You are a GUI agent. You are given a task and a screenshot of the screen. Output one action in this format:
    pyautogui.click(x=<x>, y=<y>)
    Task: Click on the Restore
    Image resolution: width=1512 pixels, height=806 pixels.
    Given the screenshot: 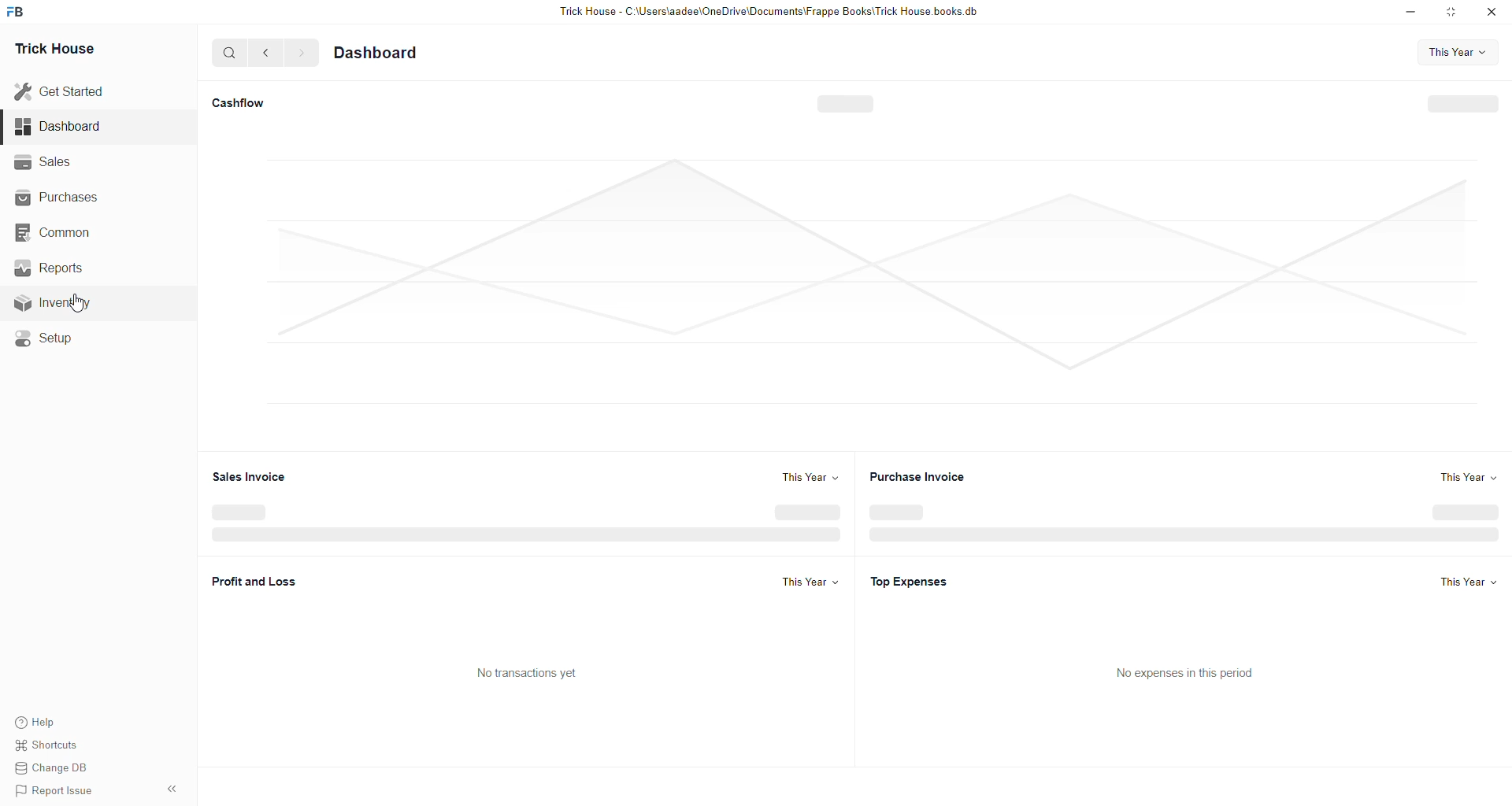 What is the action you would take?
    pyautogui.click(x=1453, y=13)
    